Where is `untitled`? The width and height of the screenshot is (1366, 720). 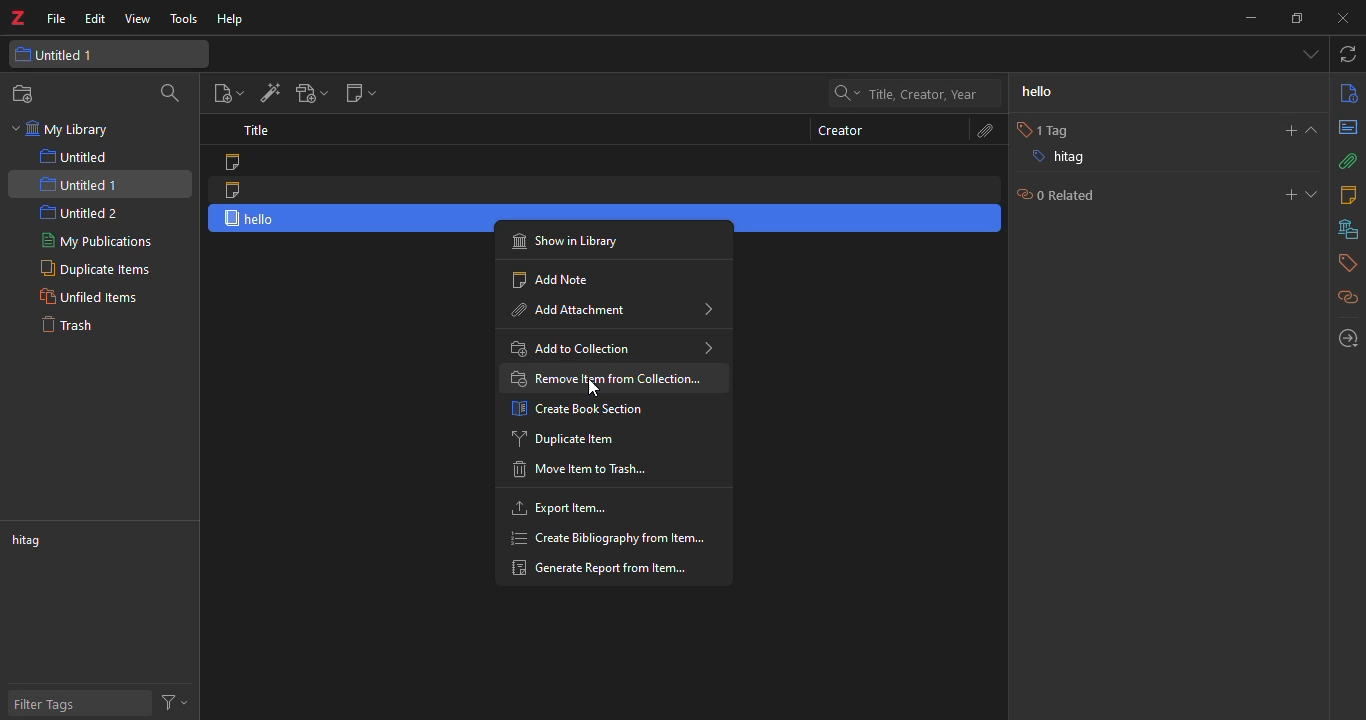 untitled is located at coordinates (79, 157).